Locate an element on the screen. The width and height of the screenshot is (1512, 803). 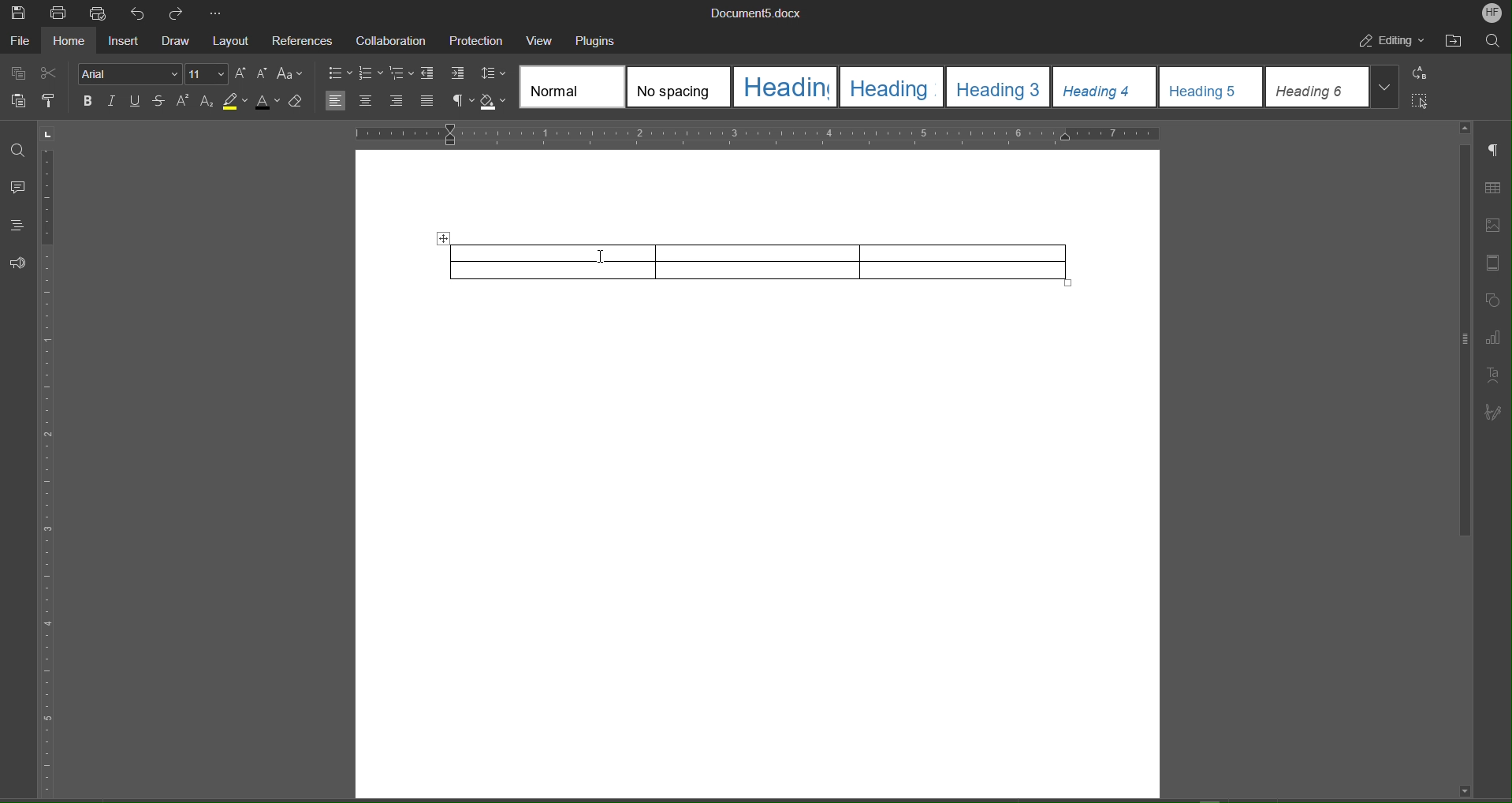
Signature is located at coordinates (1496, 409).